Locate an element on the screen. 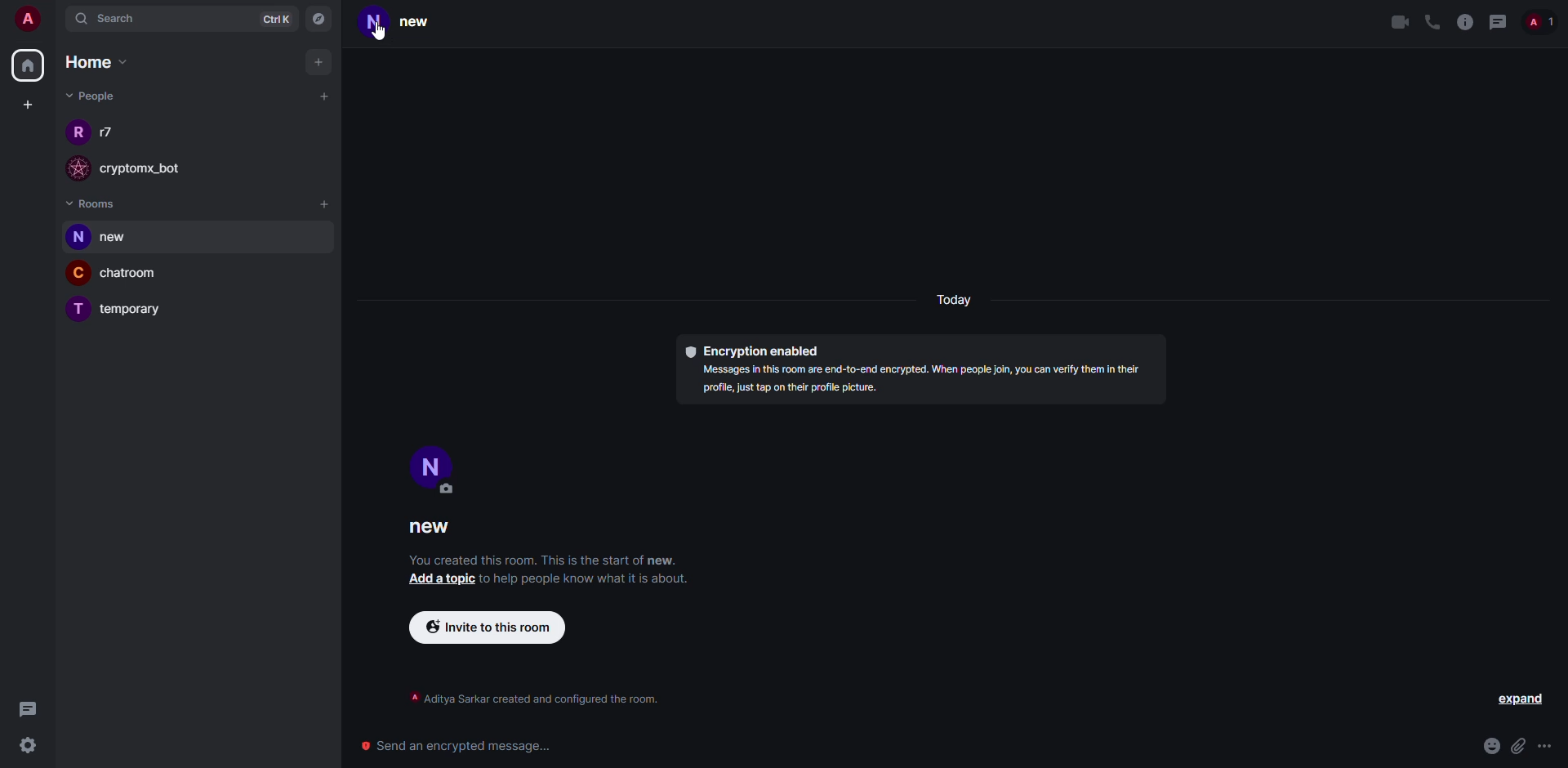 Image resolution: width=1568 pixels, height=768 pixels. people is located at coordinates (89, 96).